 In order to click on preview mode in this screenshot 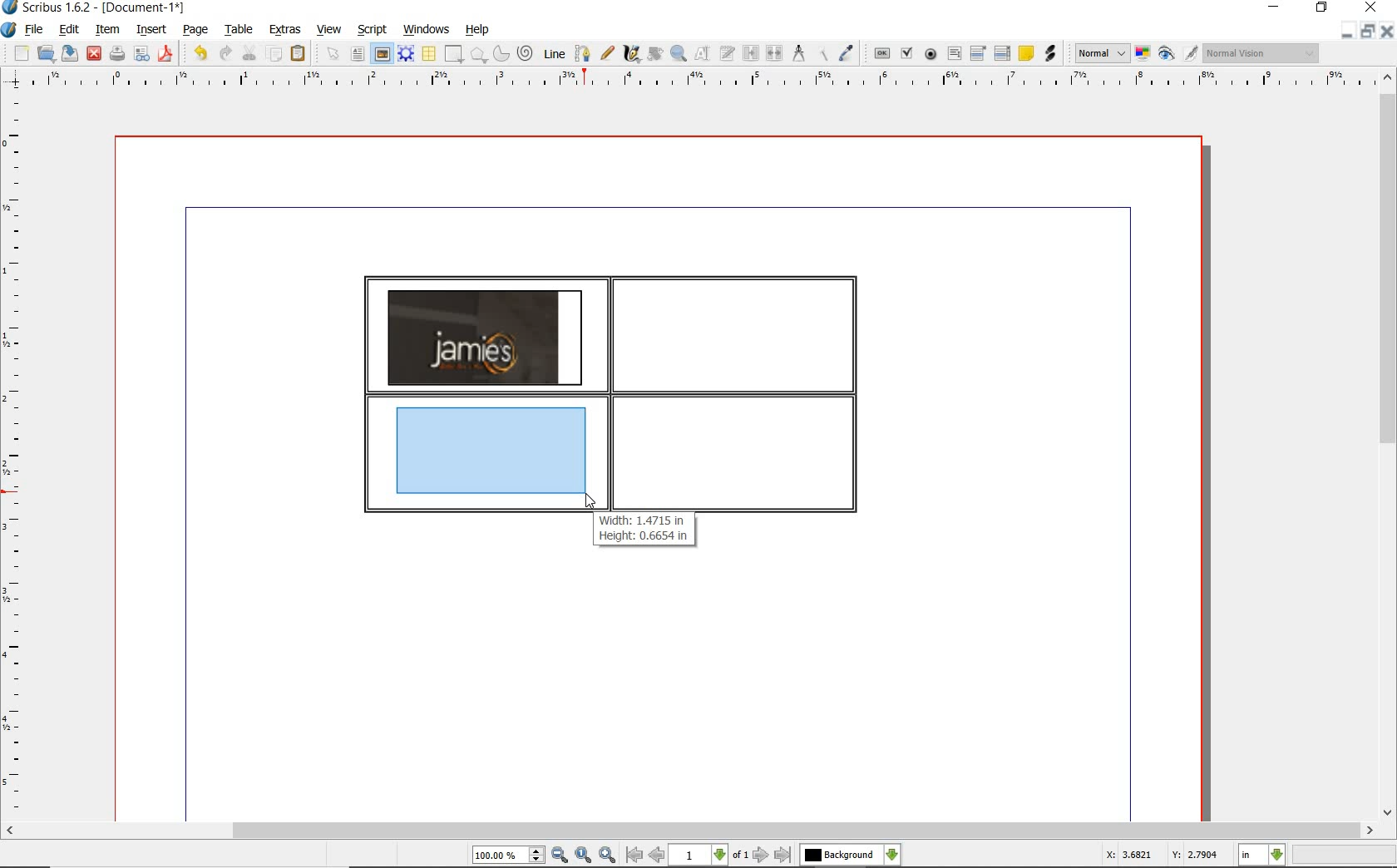, I will do `click(1167, 55)`.